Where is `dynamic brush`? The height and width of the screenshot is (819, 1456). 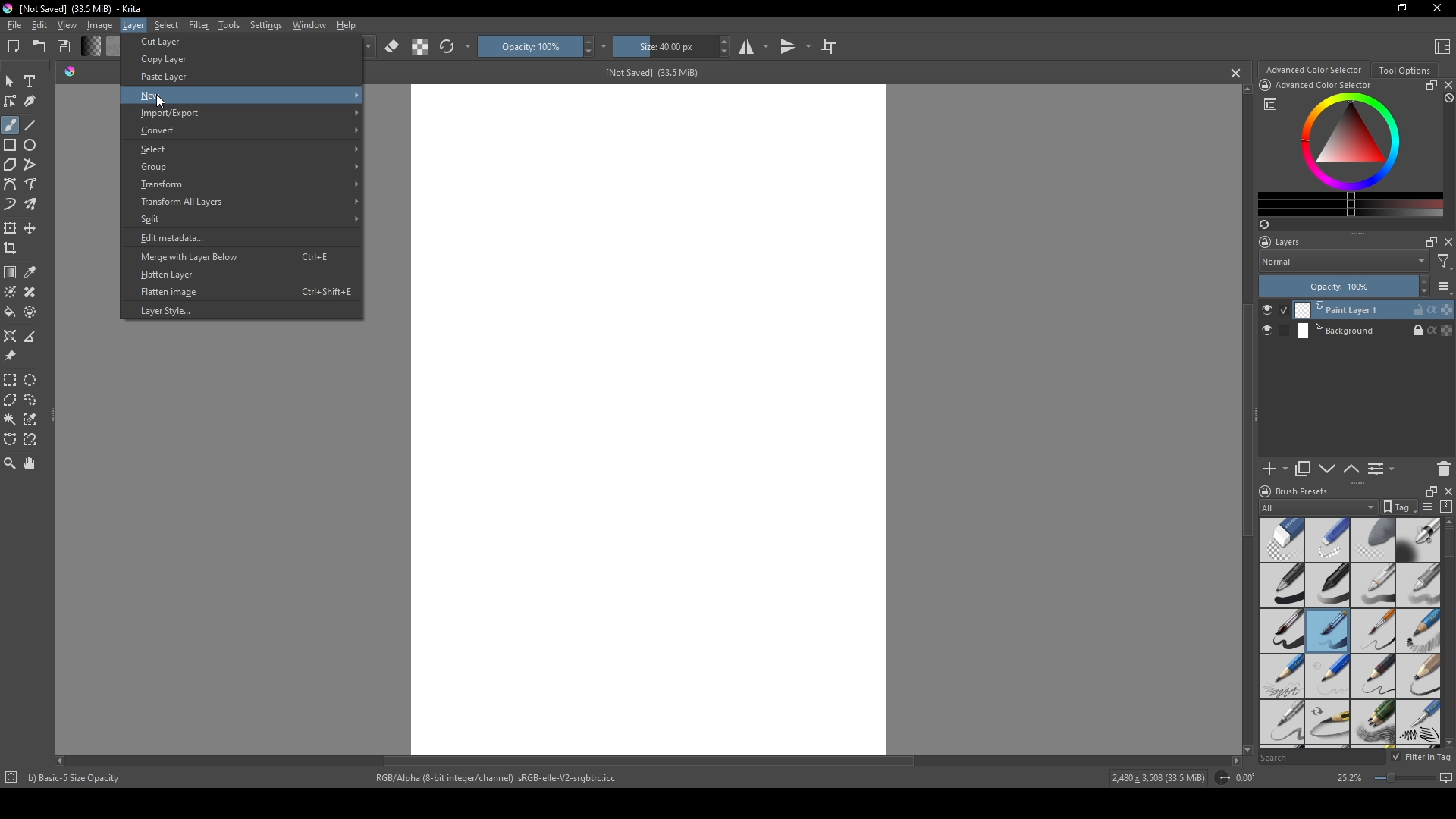
dynamic brush is located at coordinates (11, 206).